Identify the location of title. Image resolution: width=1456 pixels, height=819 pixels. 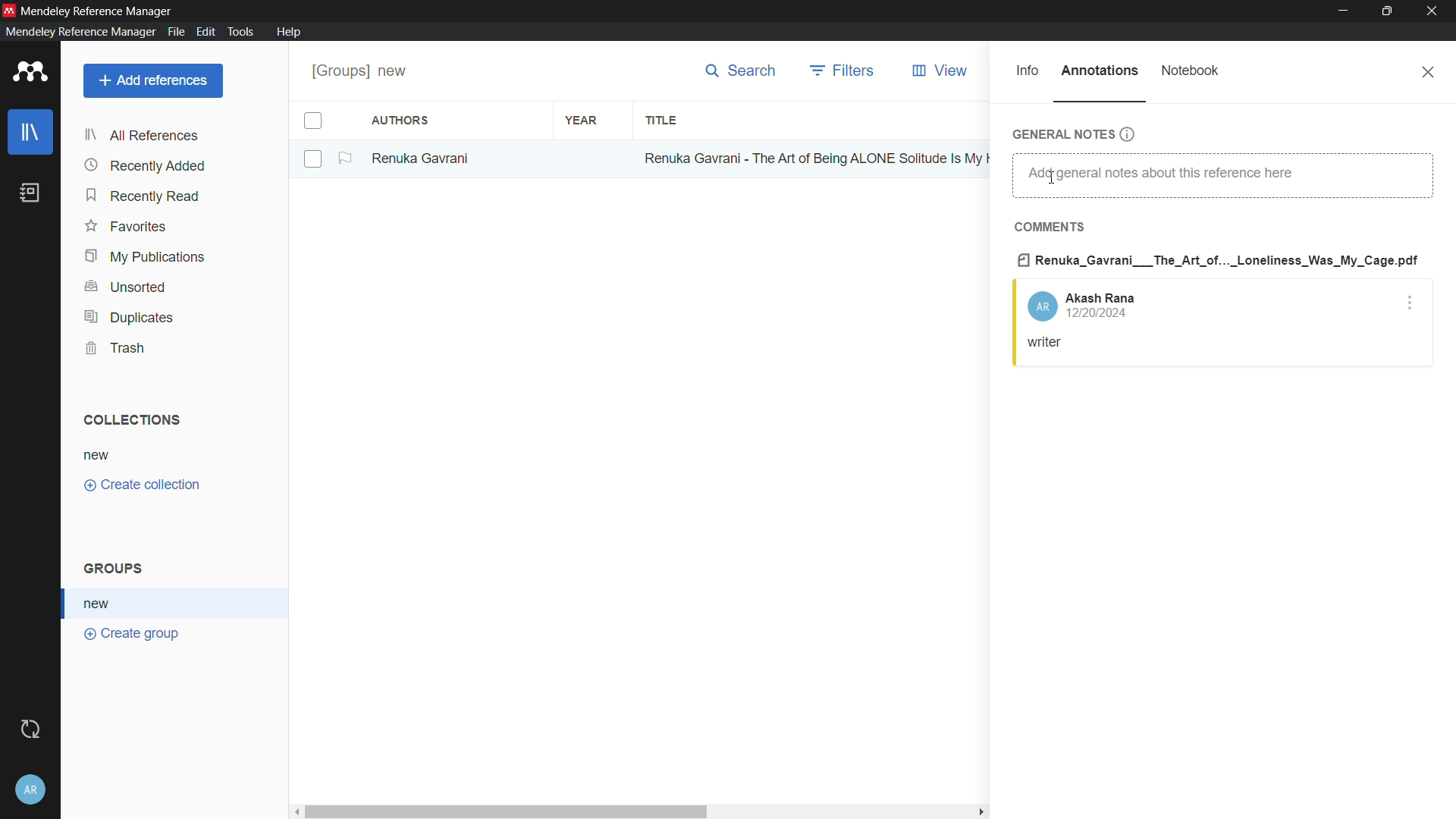
(662, 121).